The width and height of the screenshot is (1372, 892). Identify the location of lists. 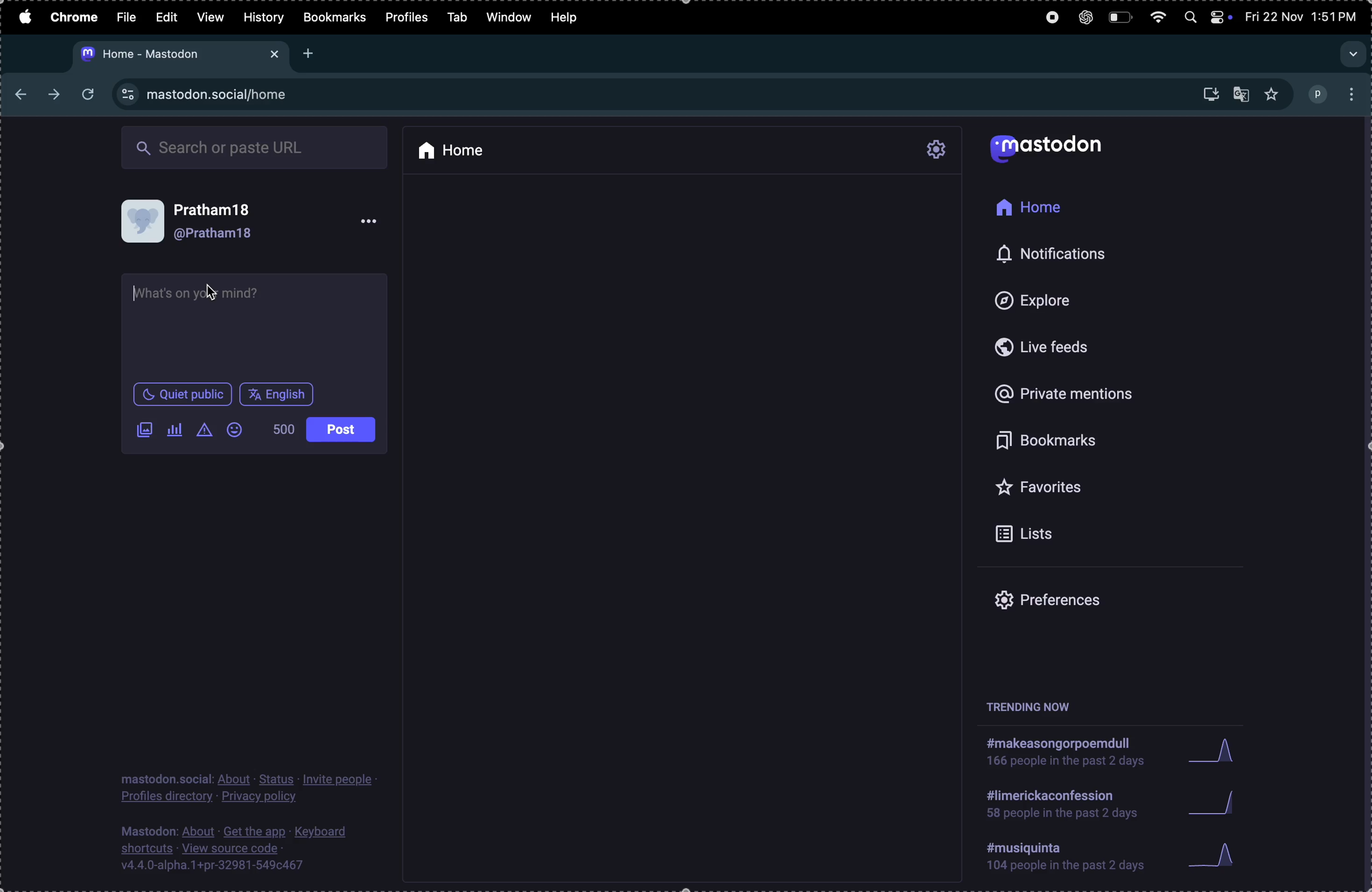
(1071, 535).